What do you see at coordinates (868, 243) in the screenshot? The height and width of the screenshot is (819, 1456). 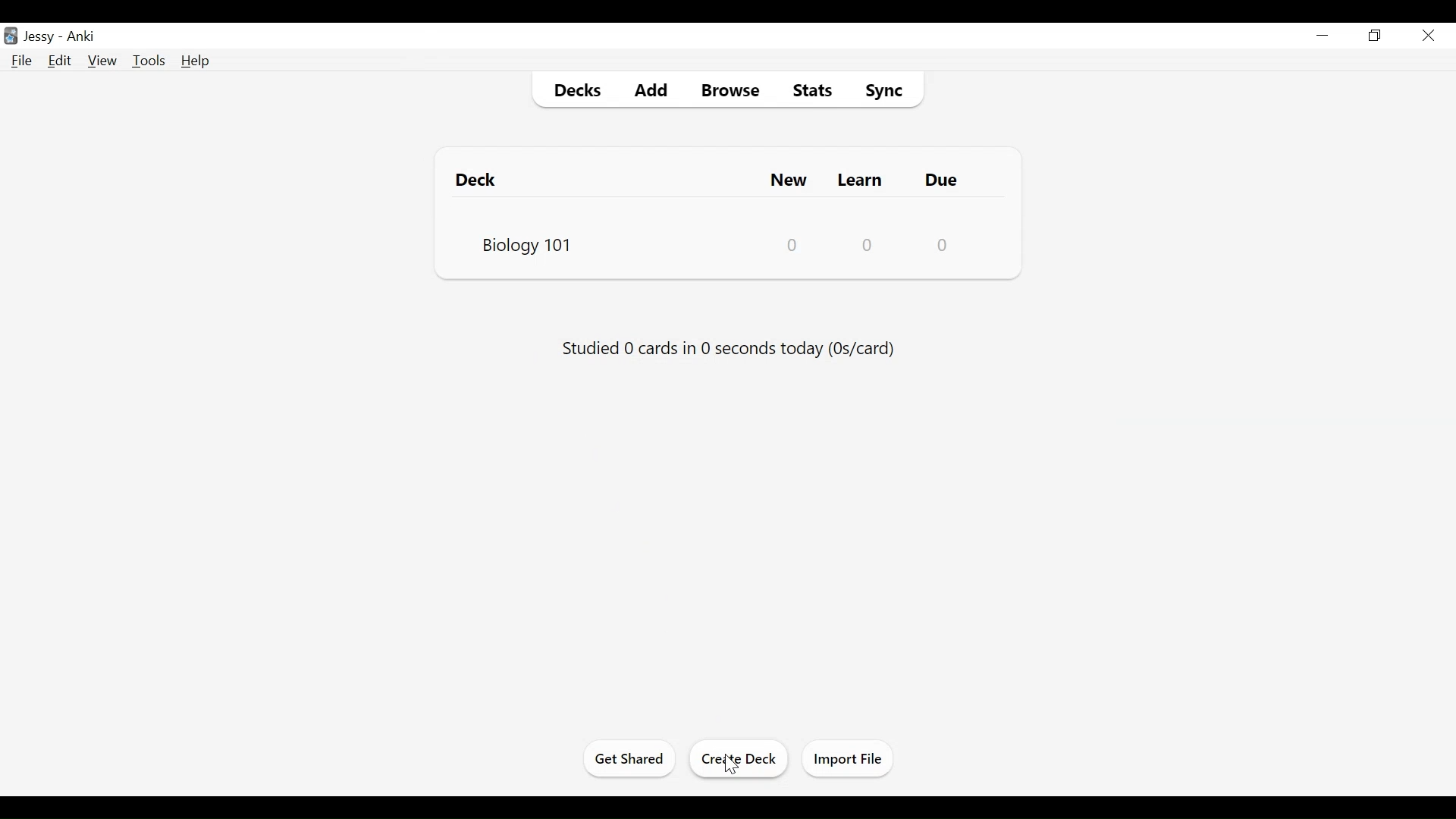 I see `Learn Card Count` at bounding box center [868, 243].